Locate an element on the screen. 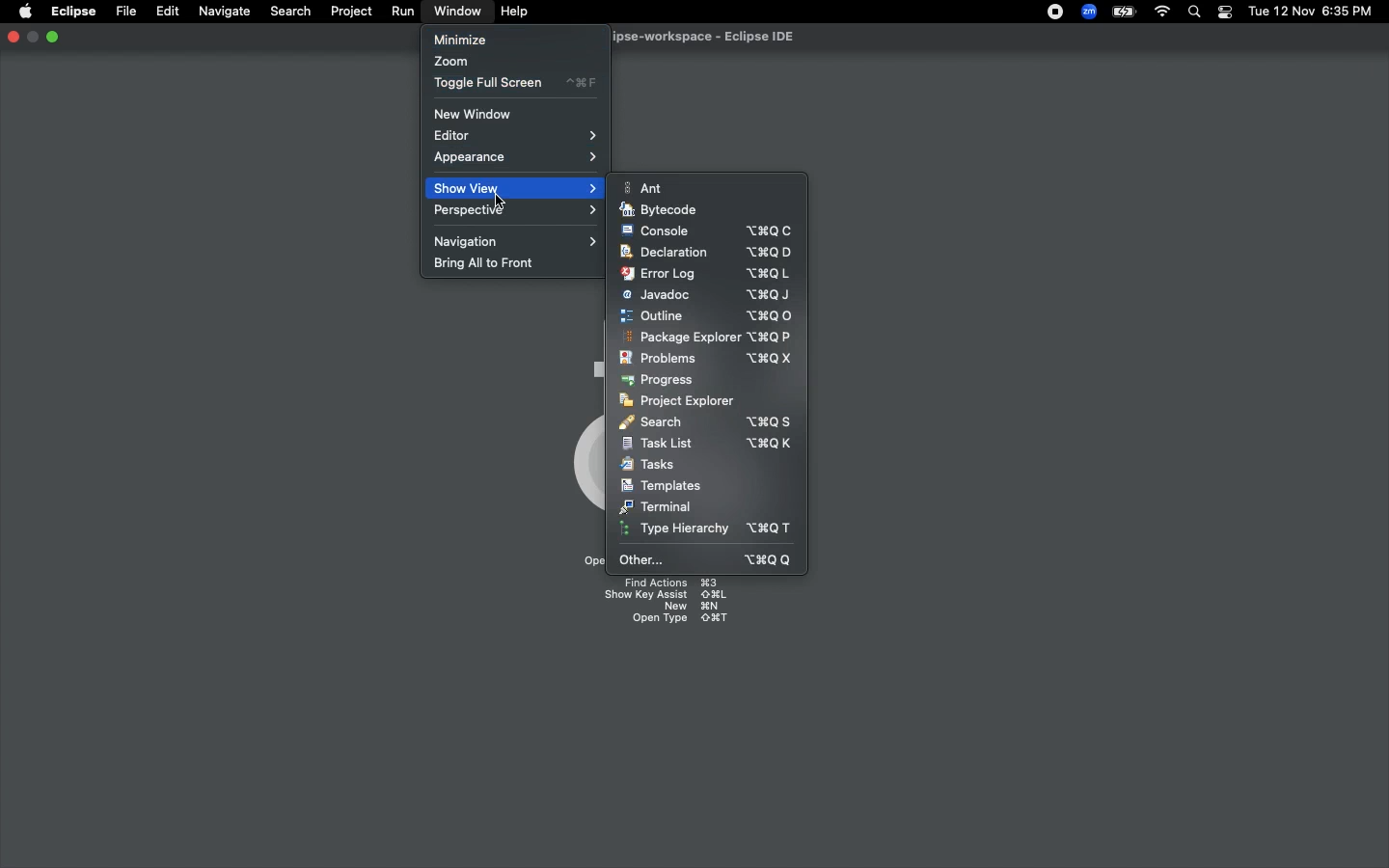 This screenshot has width=1389, height=868. Appearance is located at coordinates (516, 159).